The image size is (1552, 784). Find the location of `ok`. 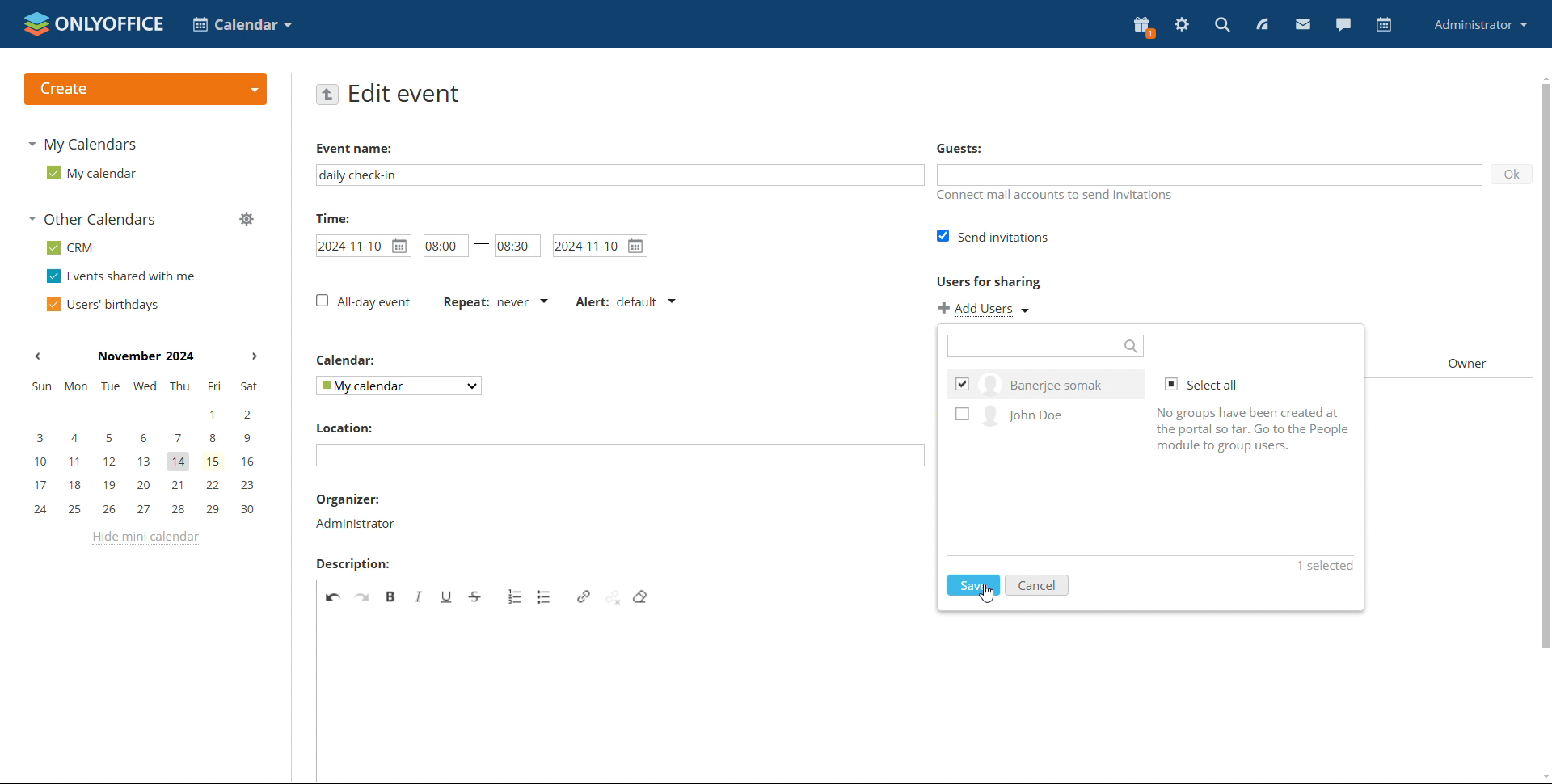

ok is located at coordinates (1505, 177).